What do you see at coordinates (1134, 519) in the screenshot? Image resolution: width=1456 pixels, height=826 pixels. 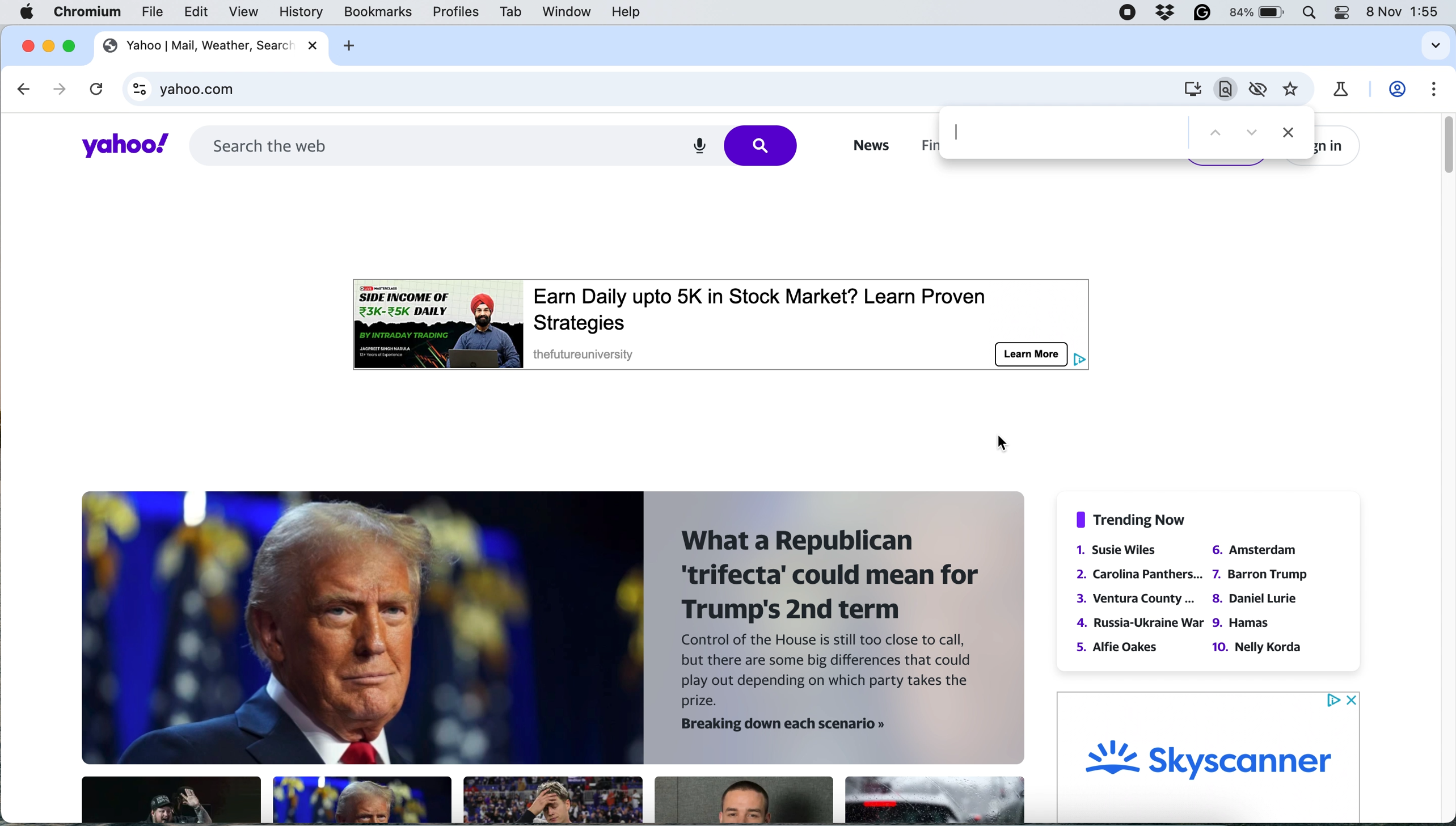 I see `trending news` at bounding box center [1134, 519].